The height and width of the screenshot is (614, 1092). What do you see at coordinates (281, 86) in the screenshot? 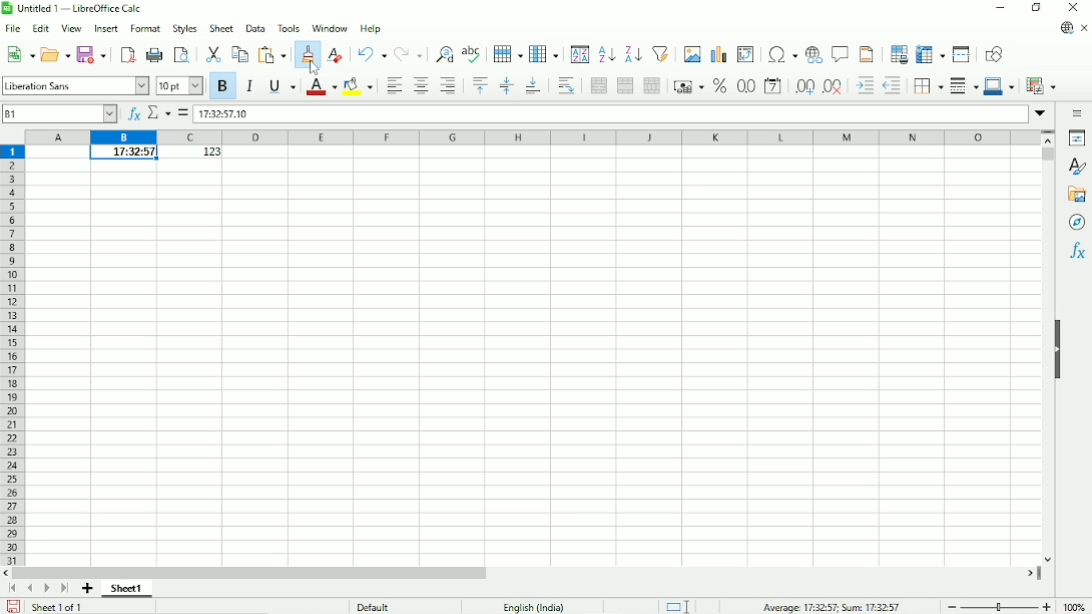
I see `underline` at bounding box center [281, 86].